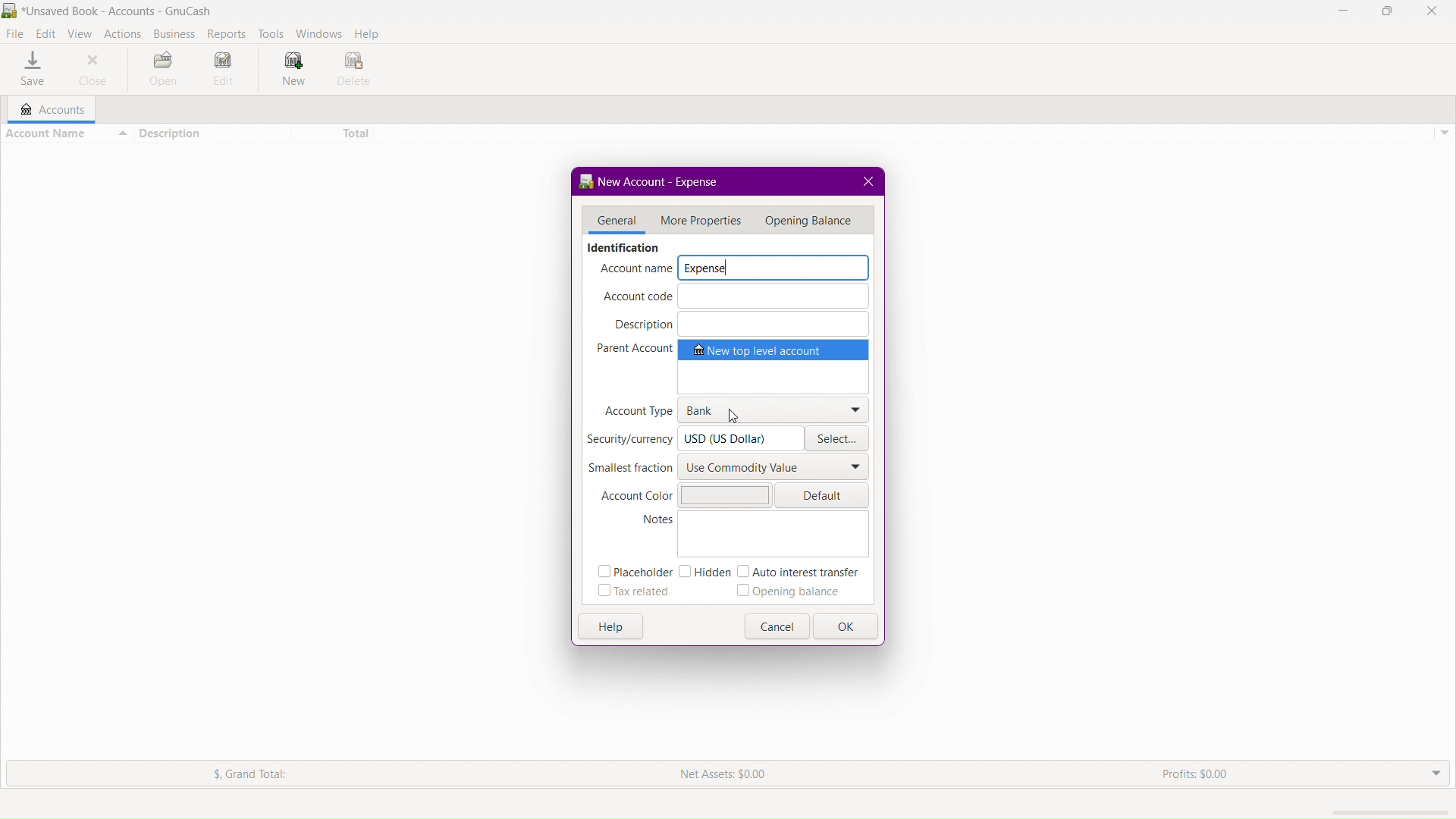  What do you see at coordinates (612, 221) in the screenshot?
I see `General` at bounding box center [612, 221].